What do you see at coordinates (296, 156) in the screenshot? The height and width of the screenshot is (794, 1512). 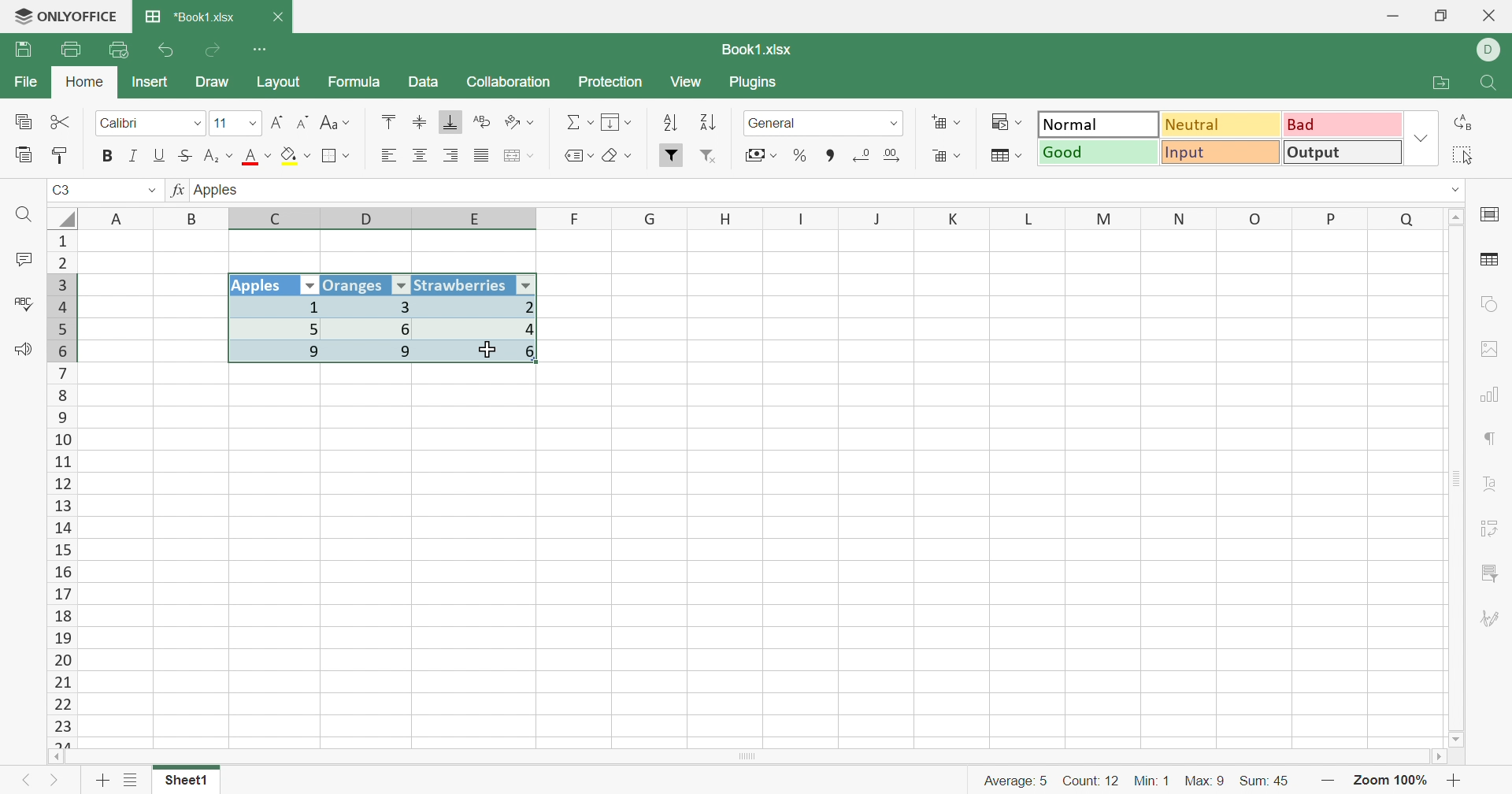 I see `Fill color` at bounding box center [296, 156].